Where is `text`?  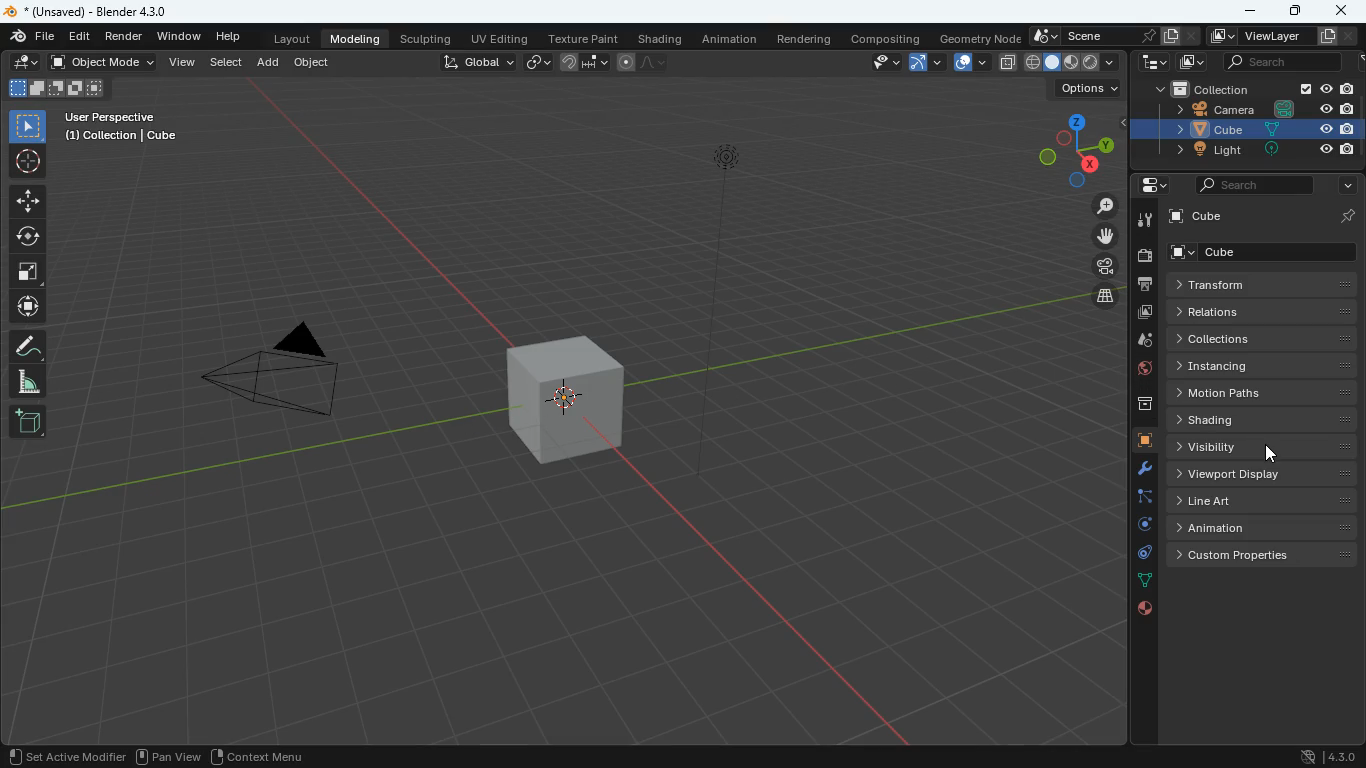
text is located at coordinates (123, 126).